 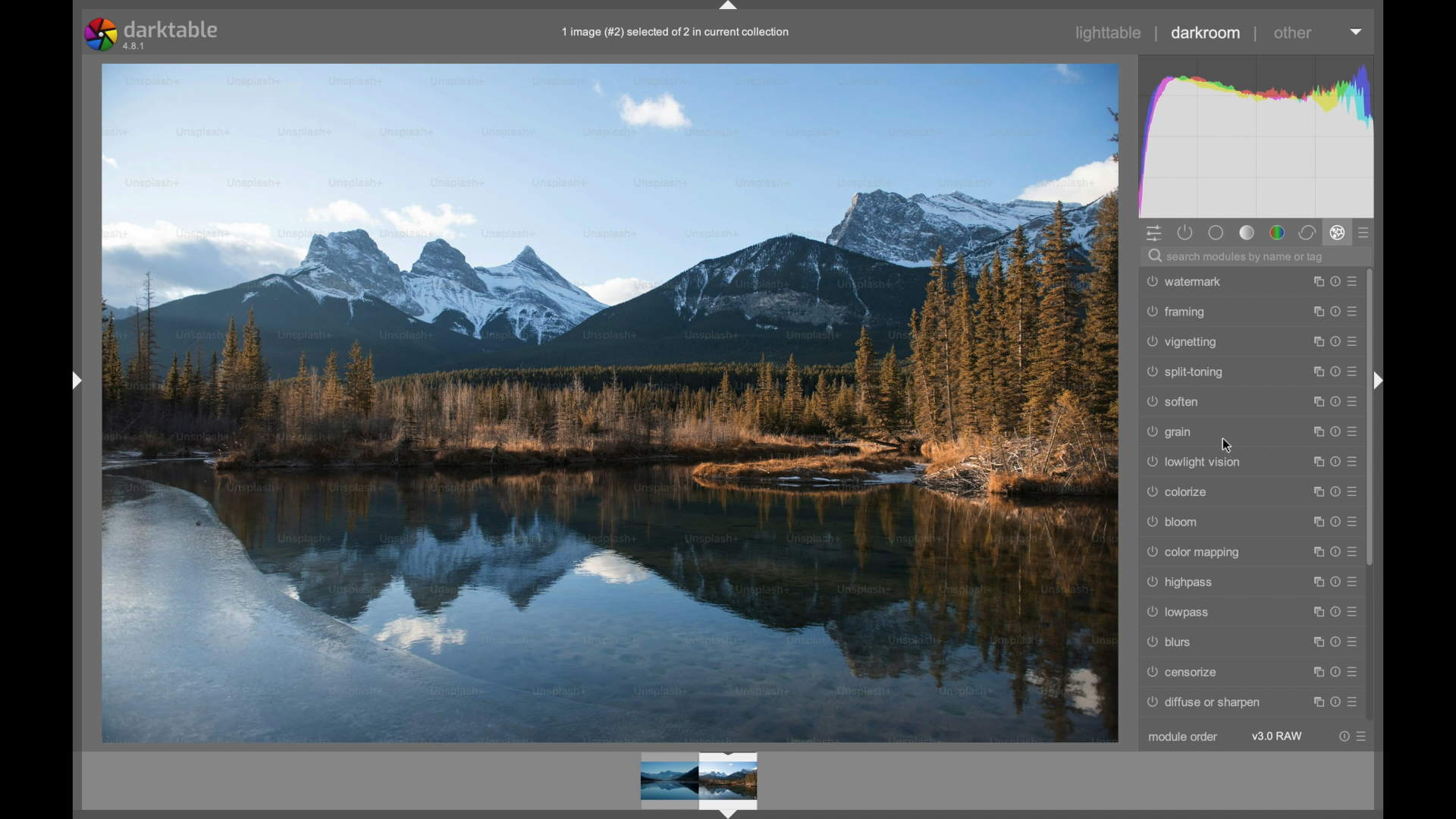 I want to click on correct, so click(x=1308, y=233).